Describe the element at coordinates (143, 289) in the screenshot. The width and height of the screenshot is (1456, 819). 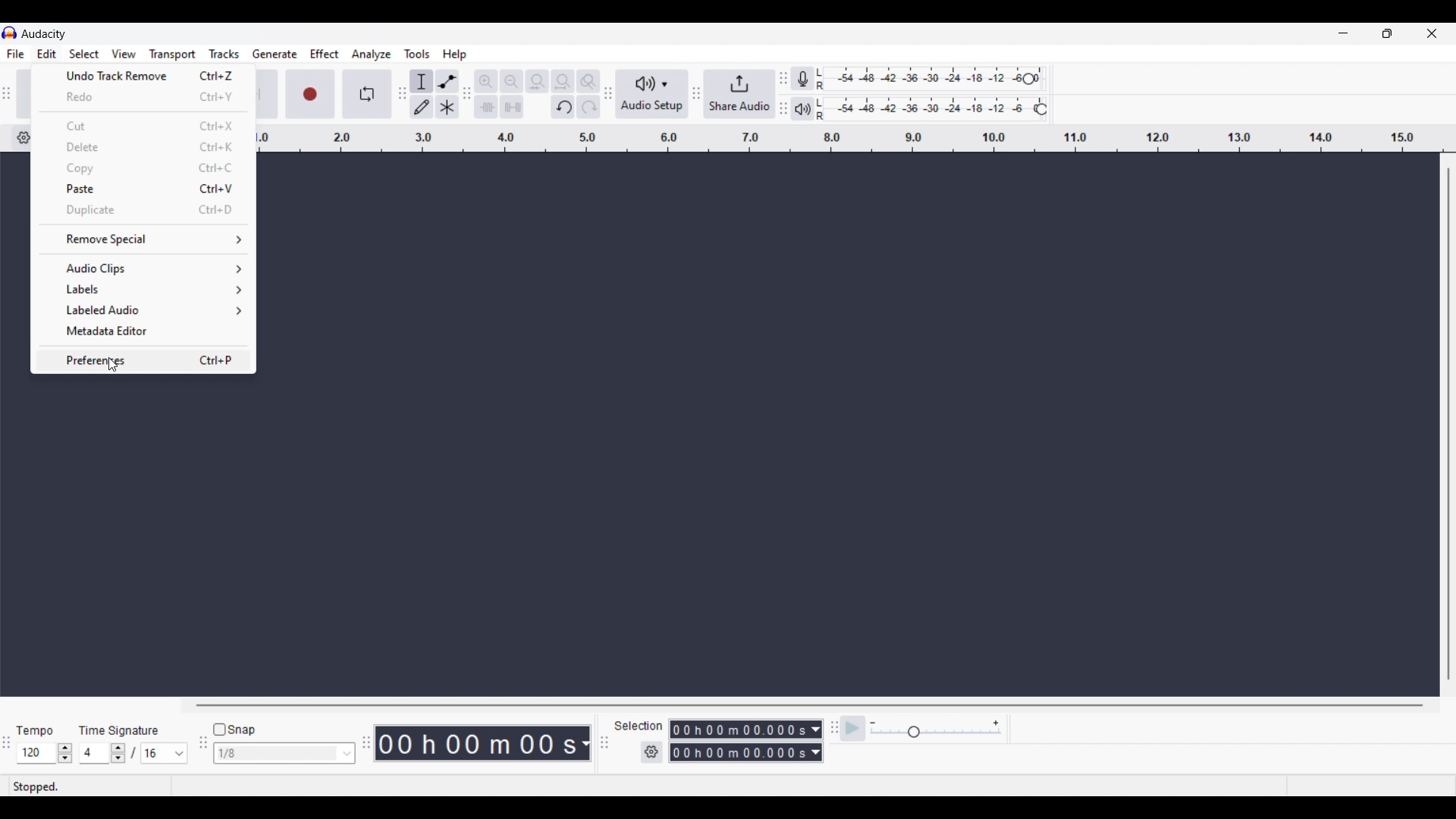
I see `Labels options` at that location.